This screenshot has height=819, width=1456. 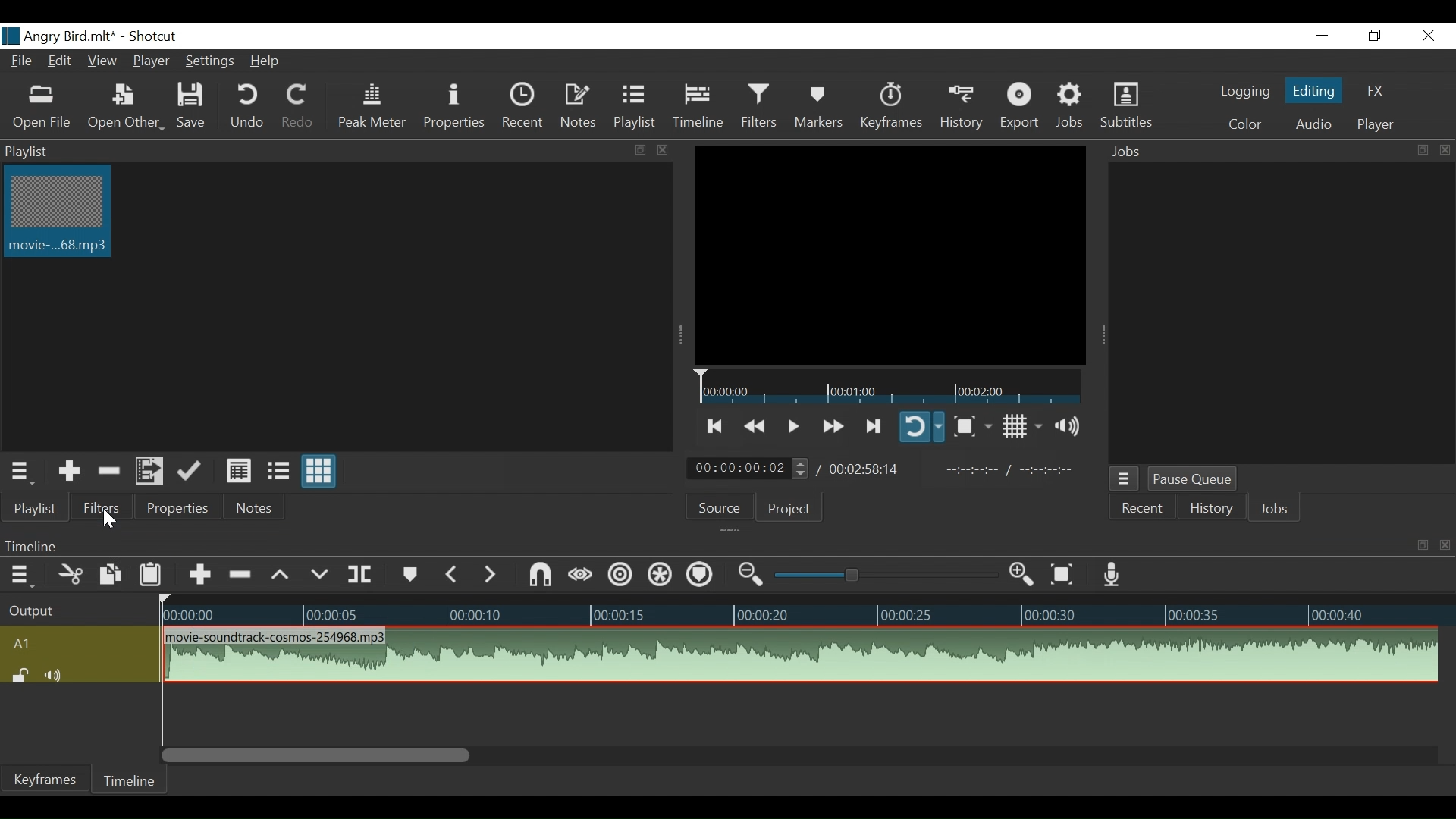 I want to click on resize, so click(x=1421, y=150).